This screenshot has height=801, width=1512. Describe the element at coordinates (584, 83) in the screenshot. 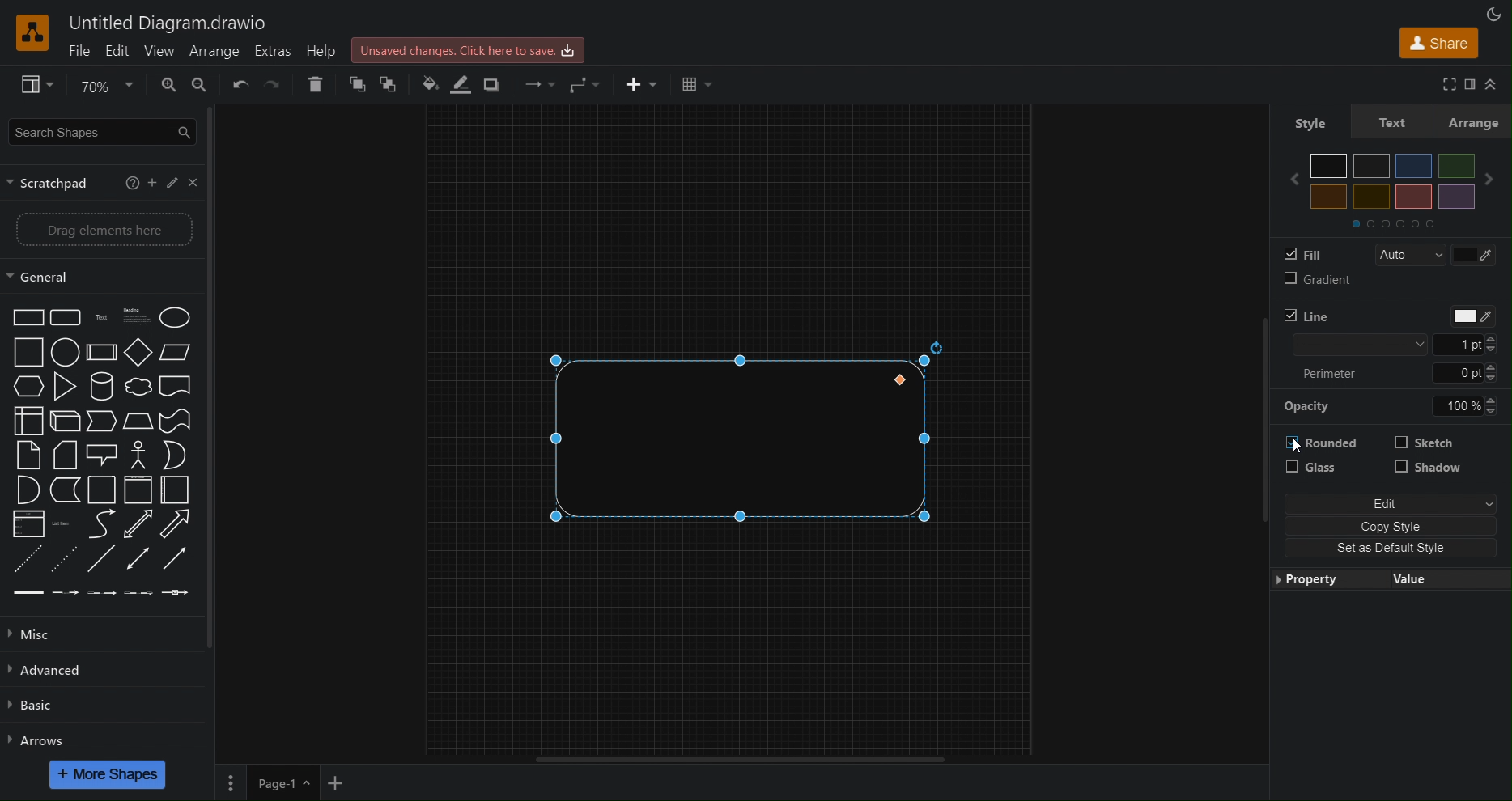

I see `Waypoints` at that location.